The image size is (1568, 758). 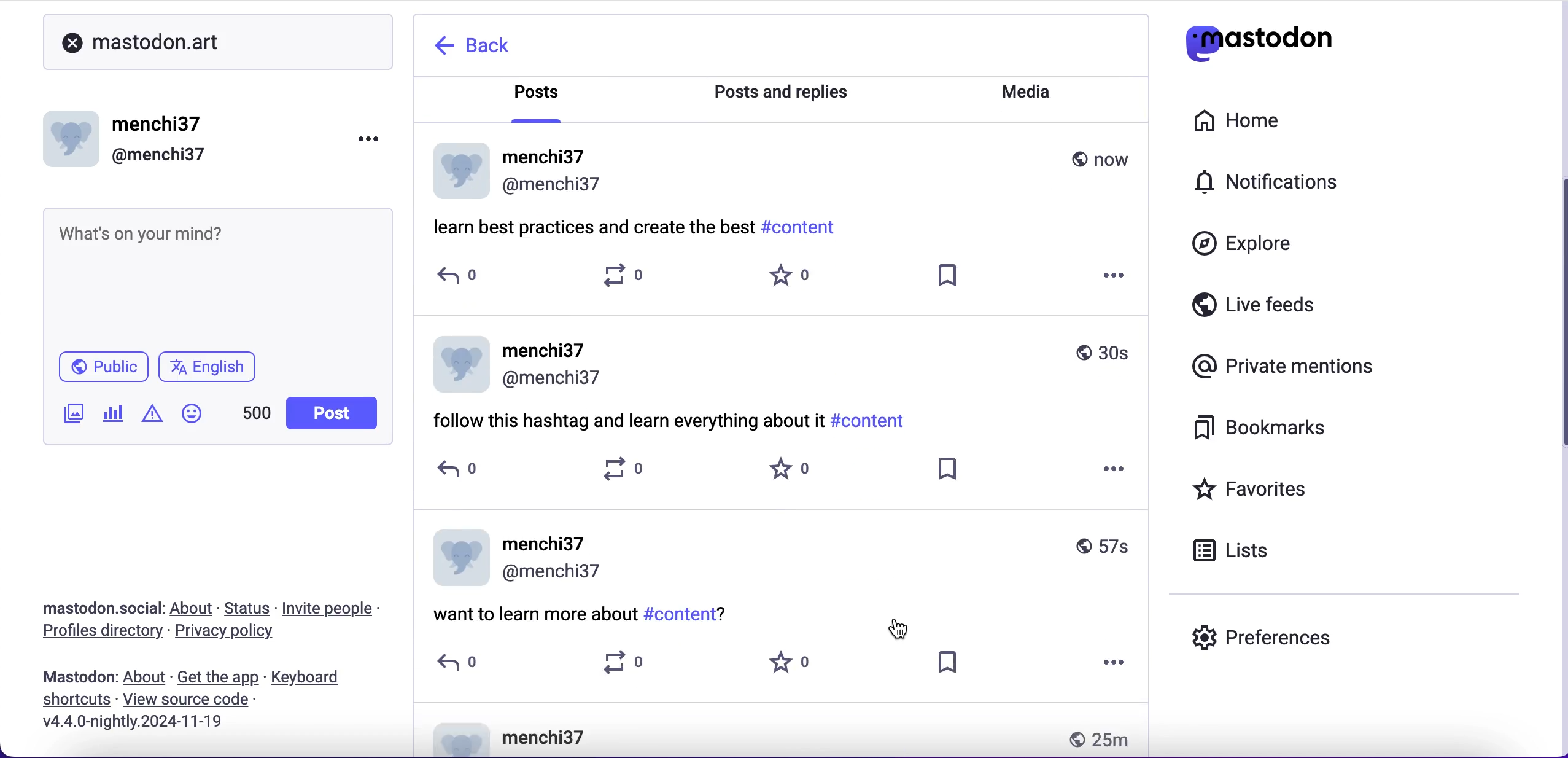 What do you see at coordinates (1252, 122) in the screenshot?
I see `home` at bounding box center [1252, 122].